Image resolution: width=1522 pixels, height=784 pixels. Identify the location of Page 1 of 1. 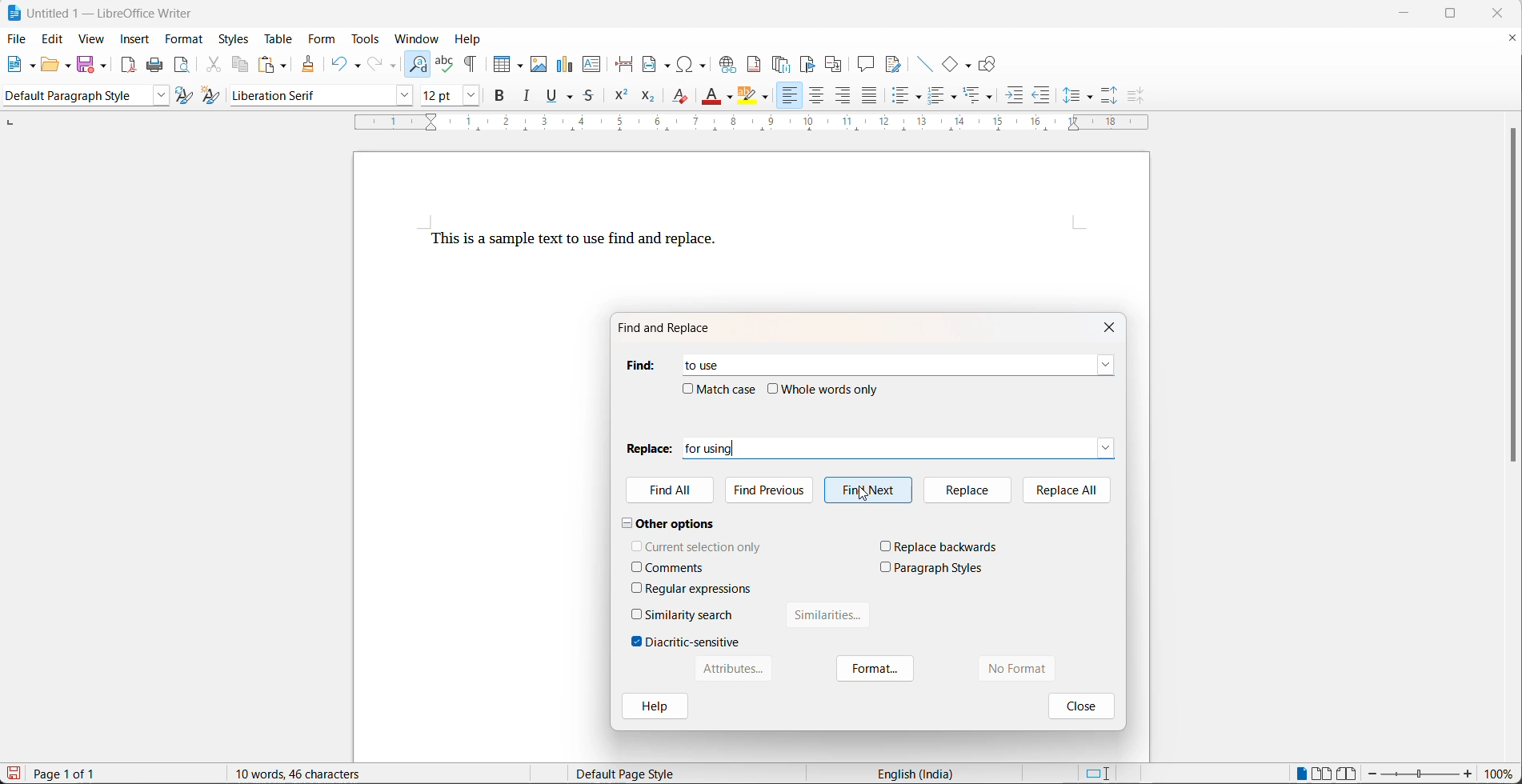
(70, 774).